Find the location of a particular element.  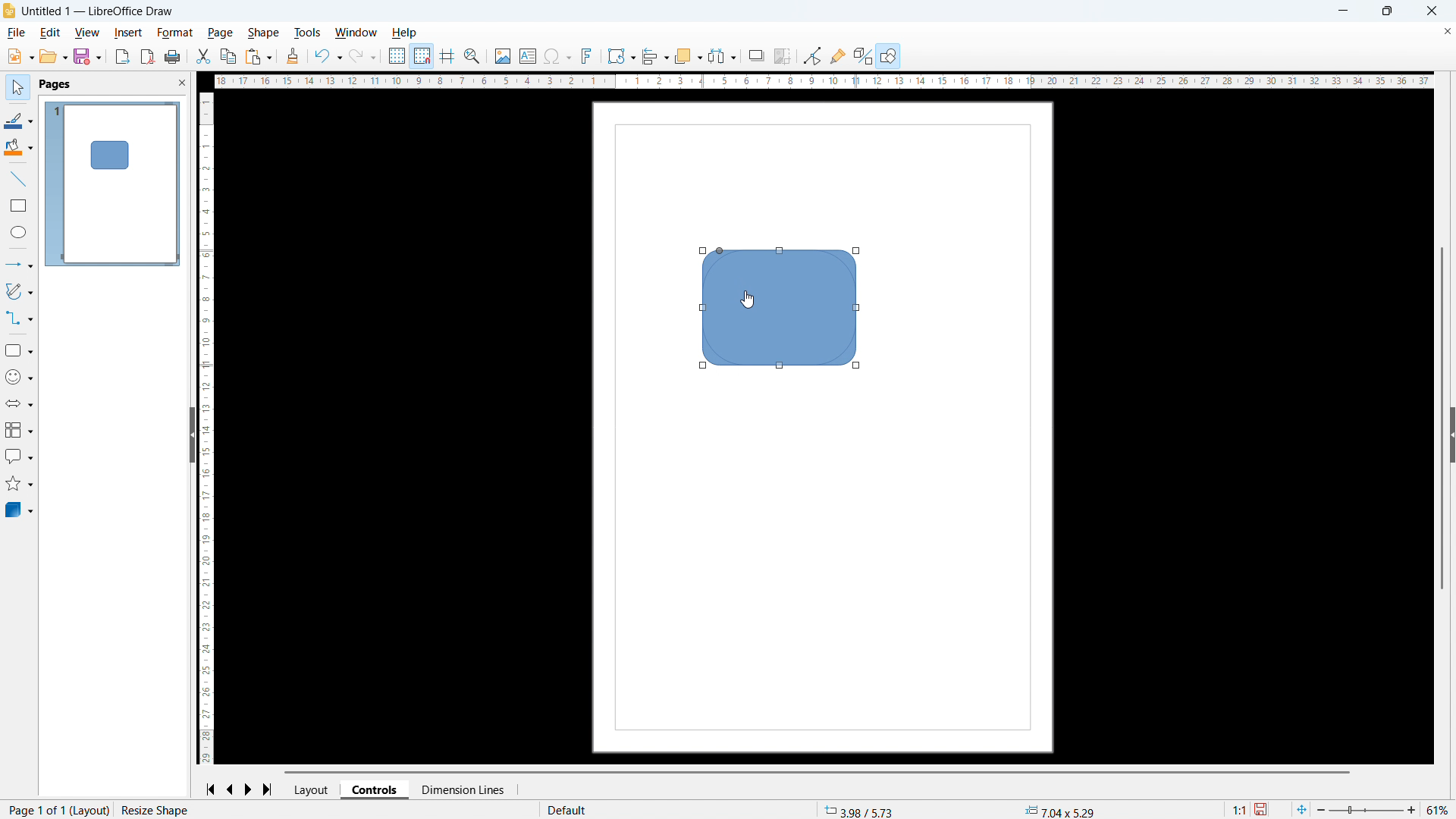

Connectors  is located at coordinates (20, 318).